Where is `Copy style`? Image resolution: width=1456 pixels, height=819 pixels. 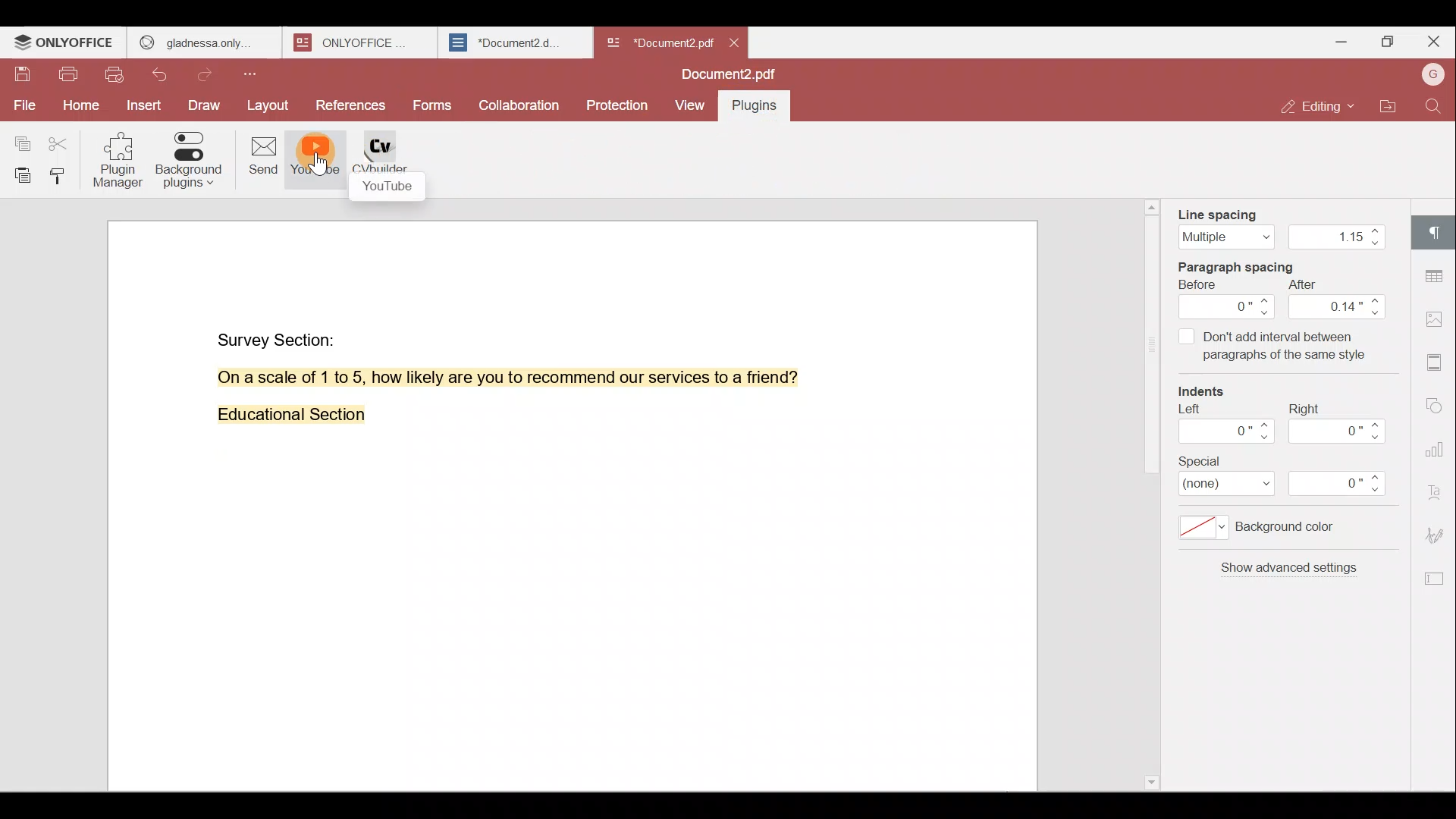
Copy style is located at coordinates (61, 175).